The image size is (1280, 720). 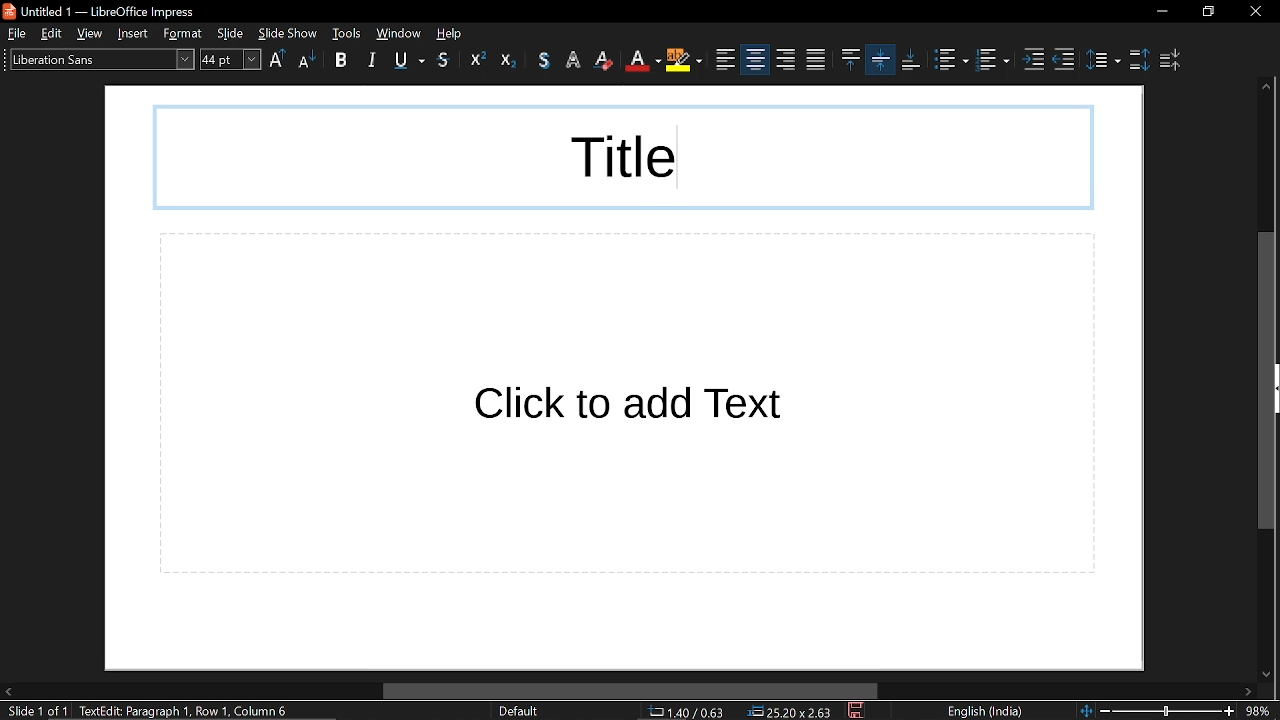 What do you see at coordinates (630, 692) in the screenshot?
I see `horizontal scrollbar` at bounding box center [630, 692].